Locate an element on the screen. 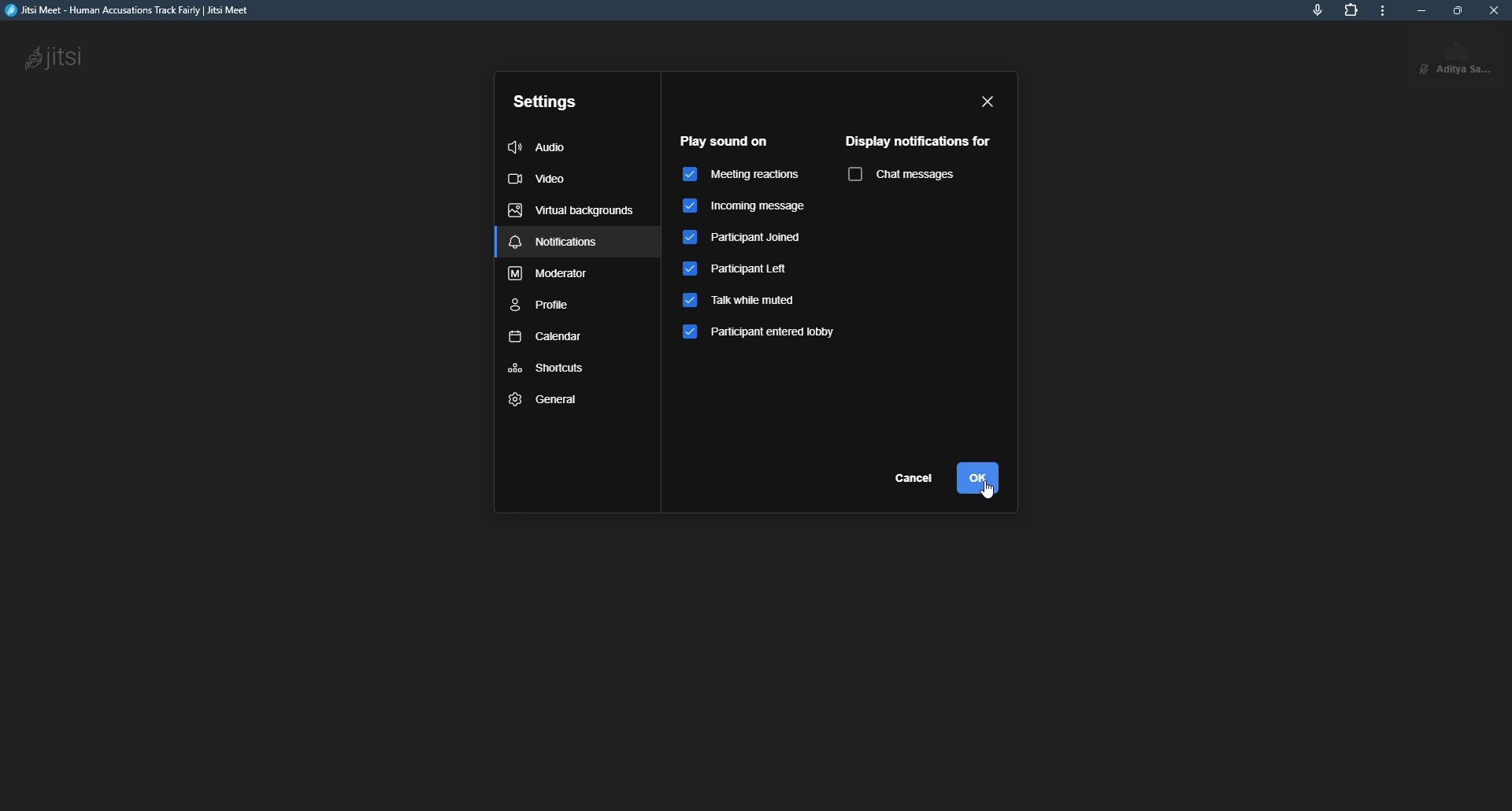 The image size is (1512, 811). maximize is located at coordinates (1458, 10).